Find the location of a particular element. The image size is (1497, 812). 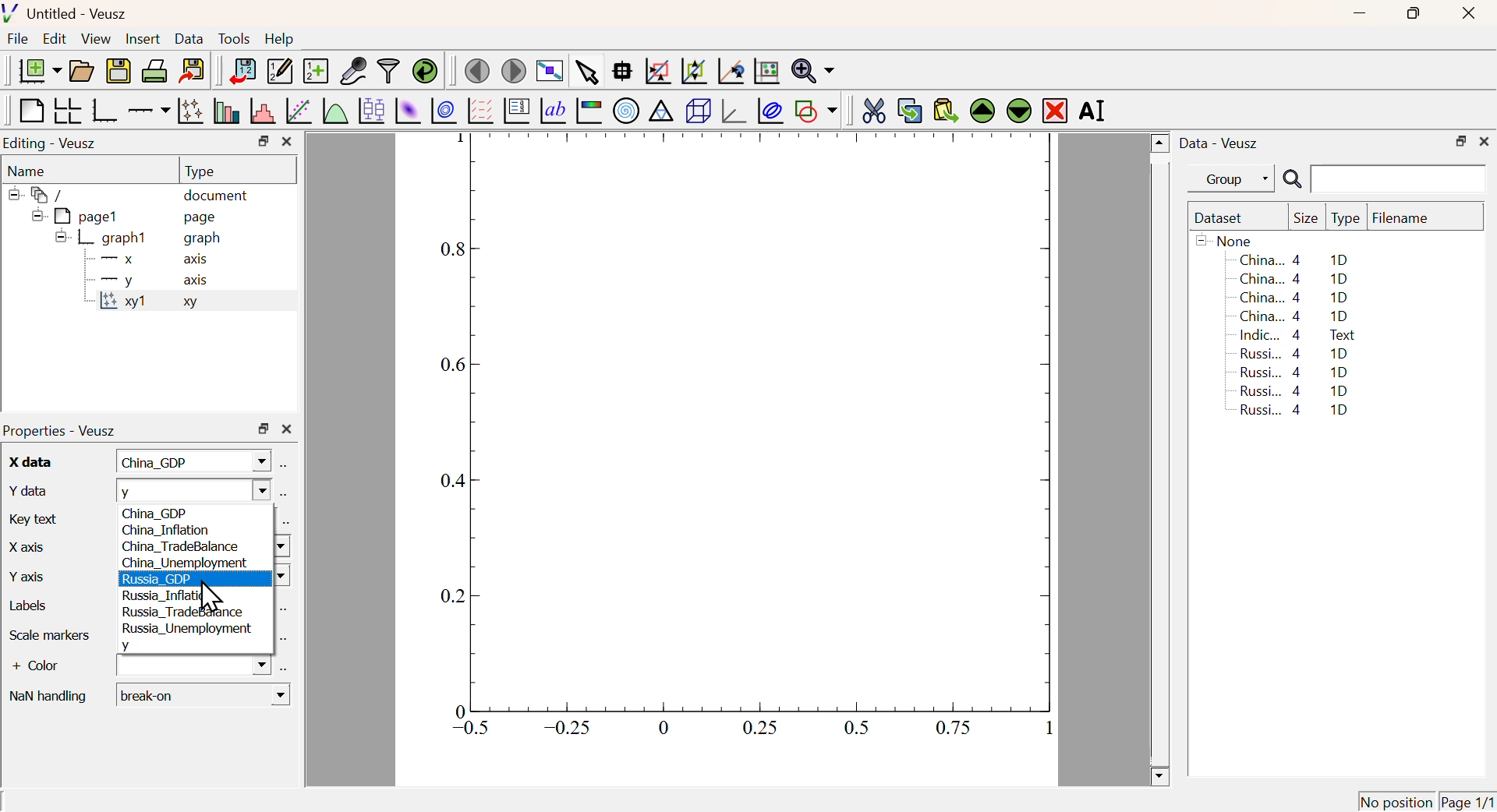

Select using dataset Browser is located at coordinates (286, 524).